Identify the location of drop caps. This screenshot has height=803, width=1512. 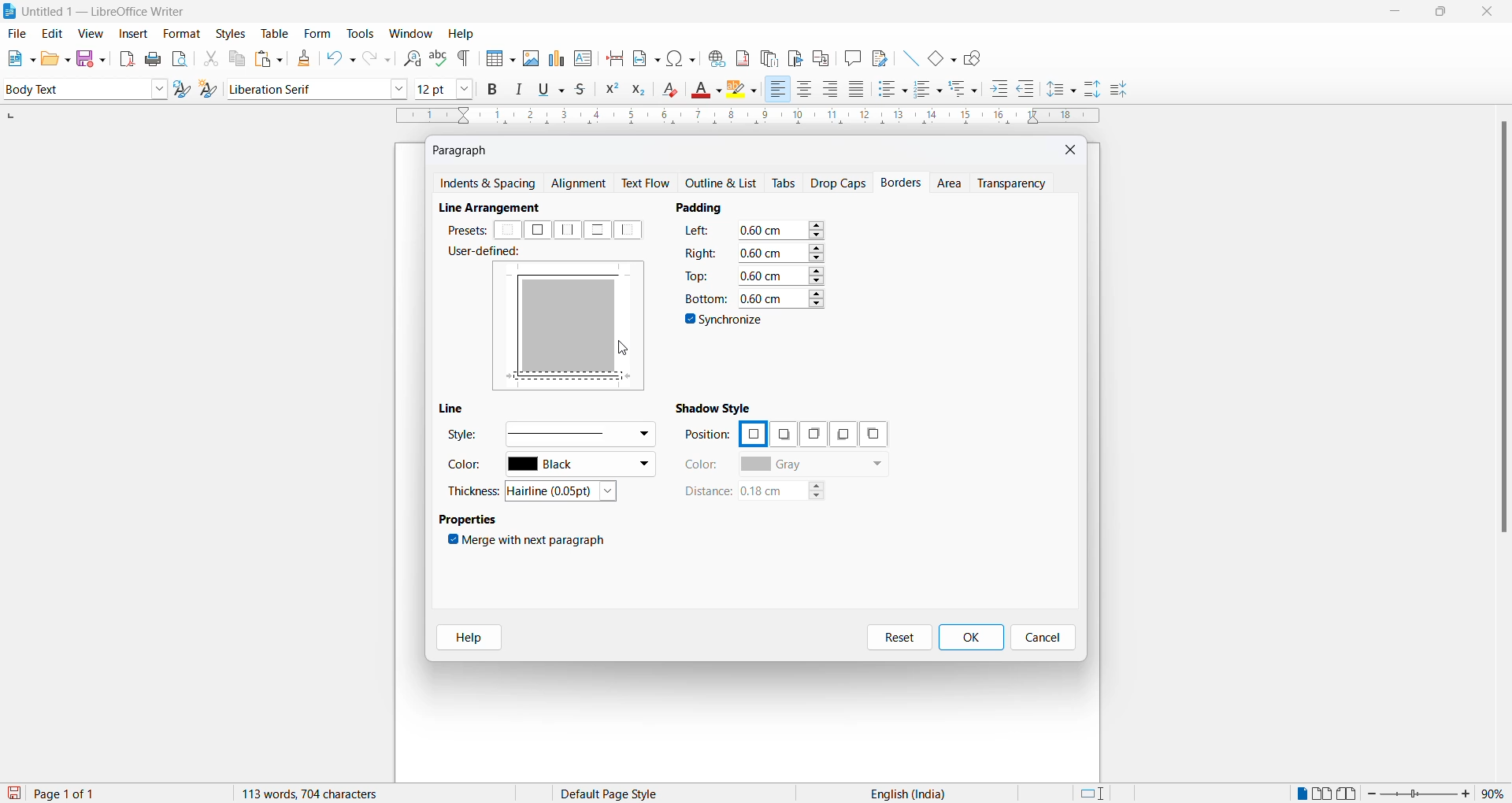
(839, 182).